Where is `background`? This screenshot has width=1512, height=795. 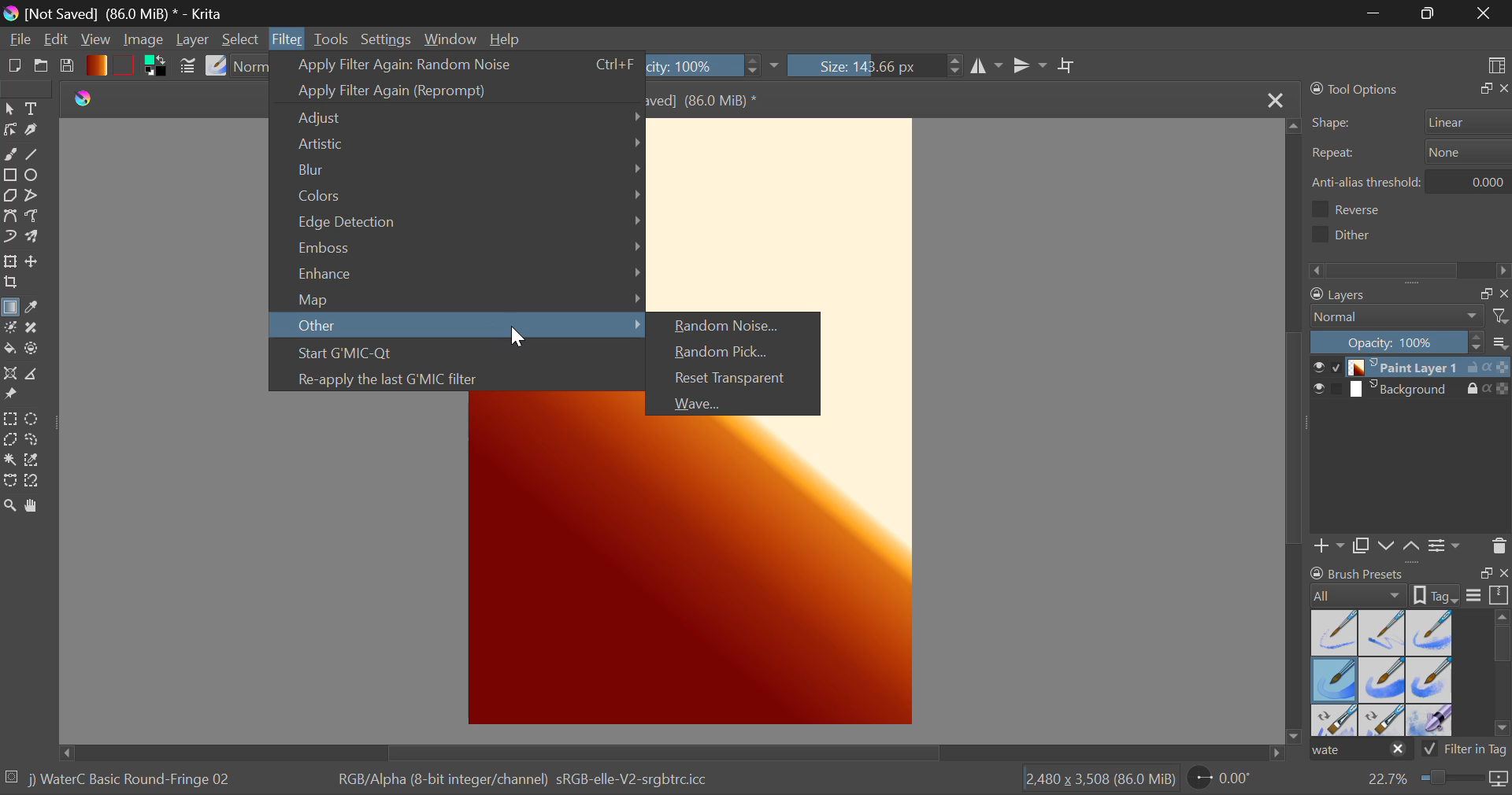 background is located at coordinates (1407, 390).